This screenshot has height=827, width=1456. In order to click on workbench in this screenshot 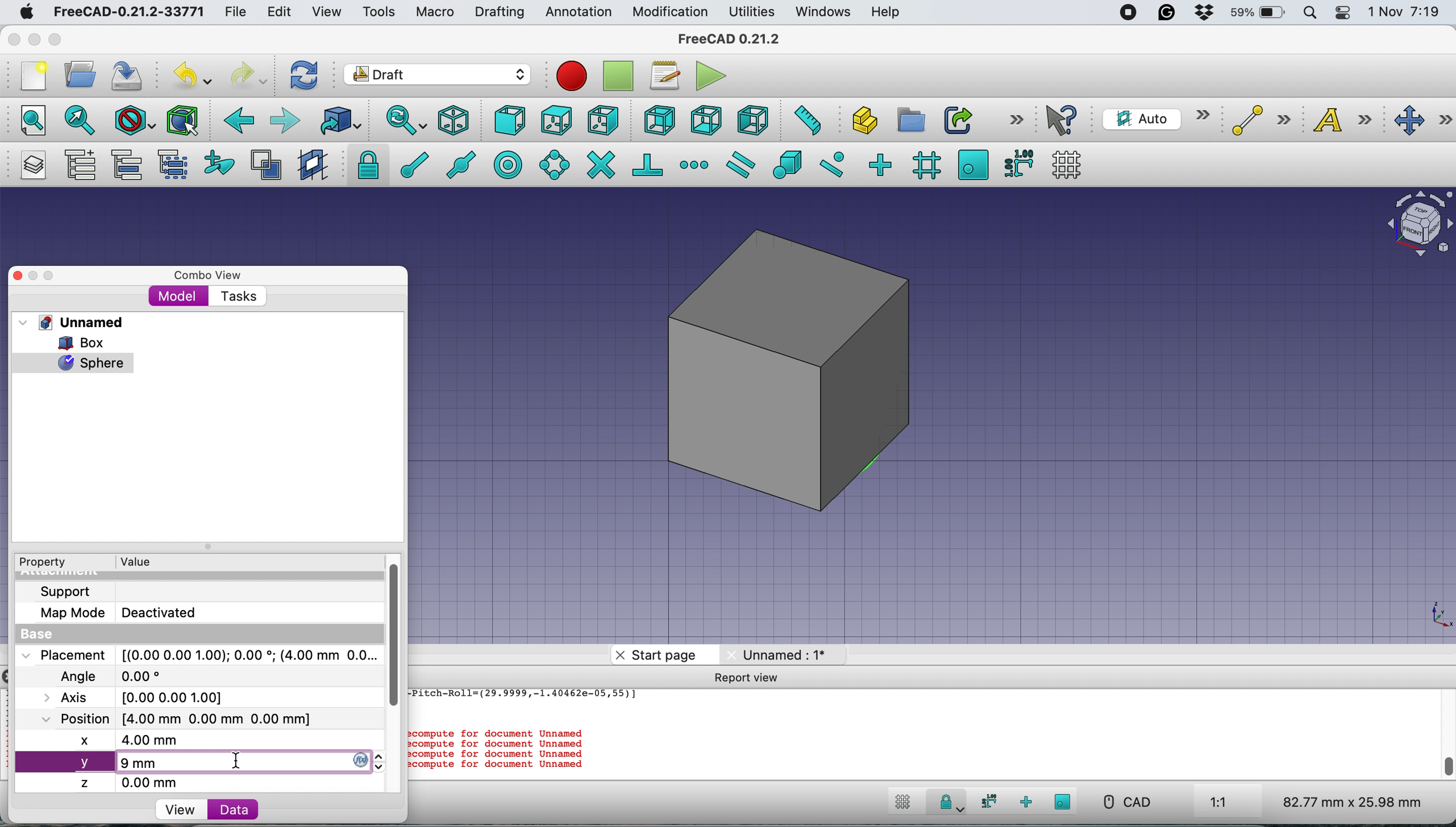, I will do `click(438, 76)`.